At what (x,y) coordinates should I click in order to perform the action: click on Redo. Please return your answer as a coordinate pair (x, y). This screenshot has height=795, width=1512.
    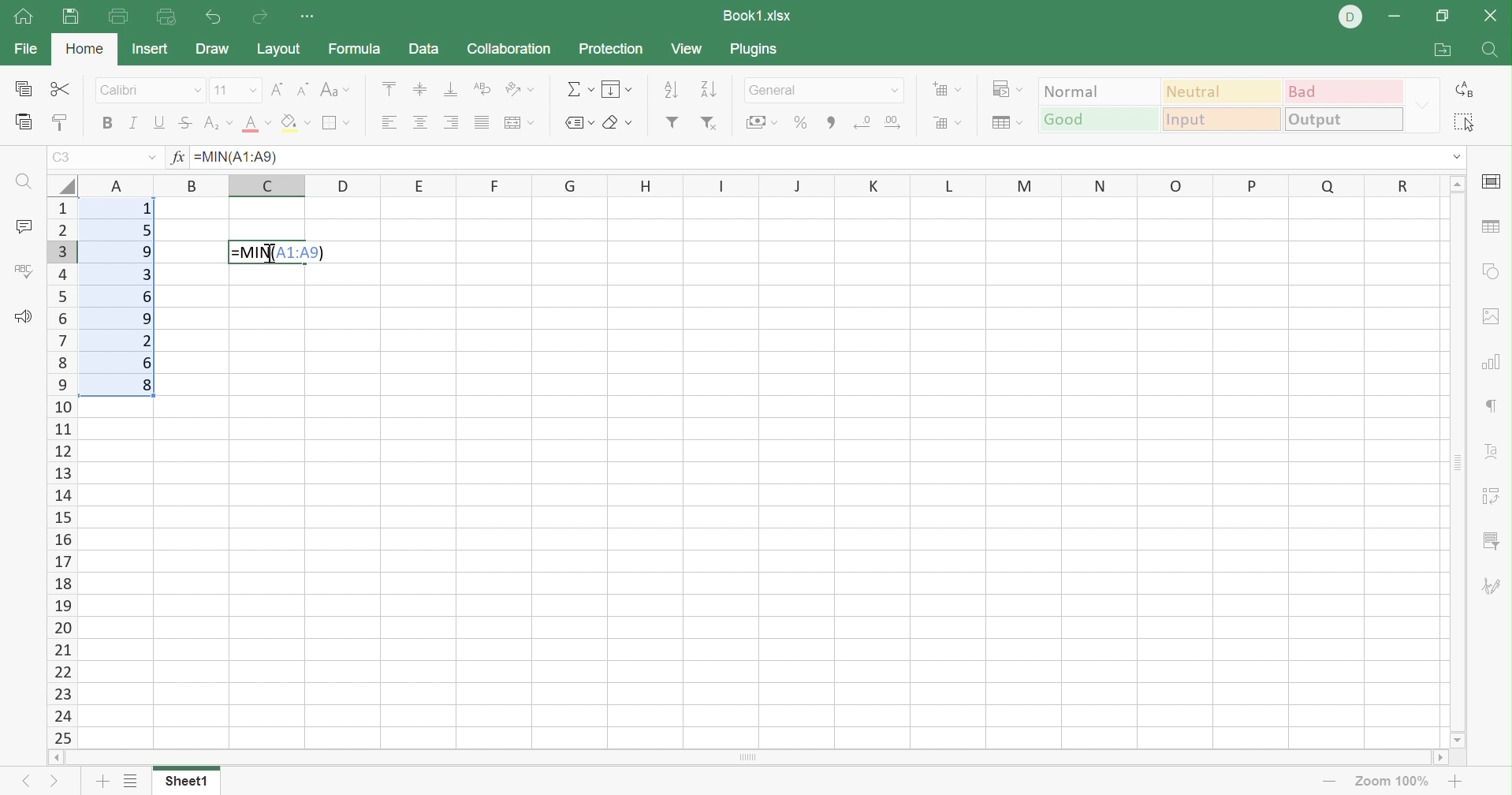
    Looking at the image, I should click on (257, 17).